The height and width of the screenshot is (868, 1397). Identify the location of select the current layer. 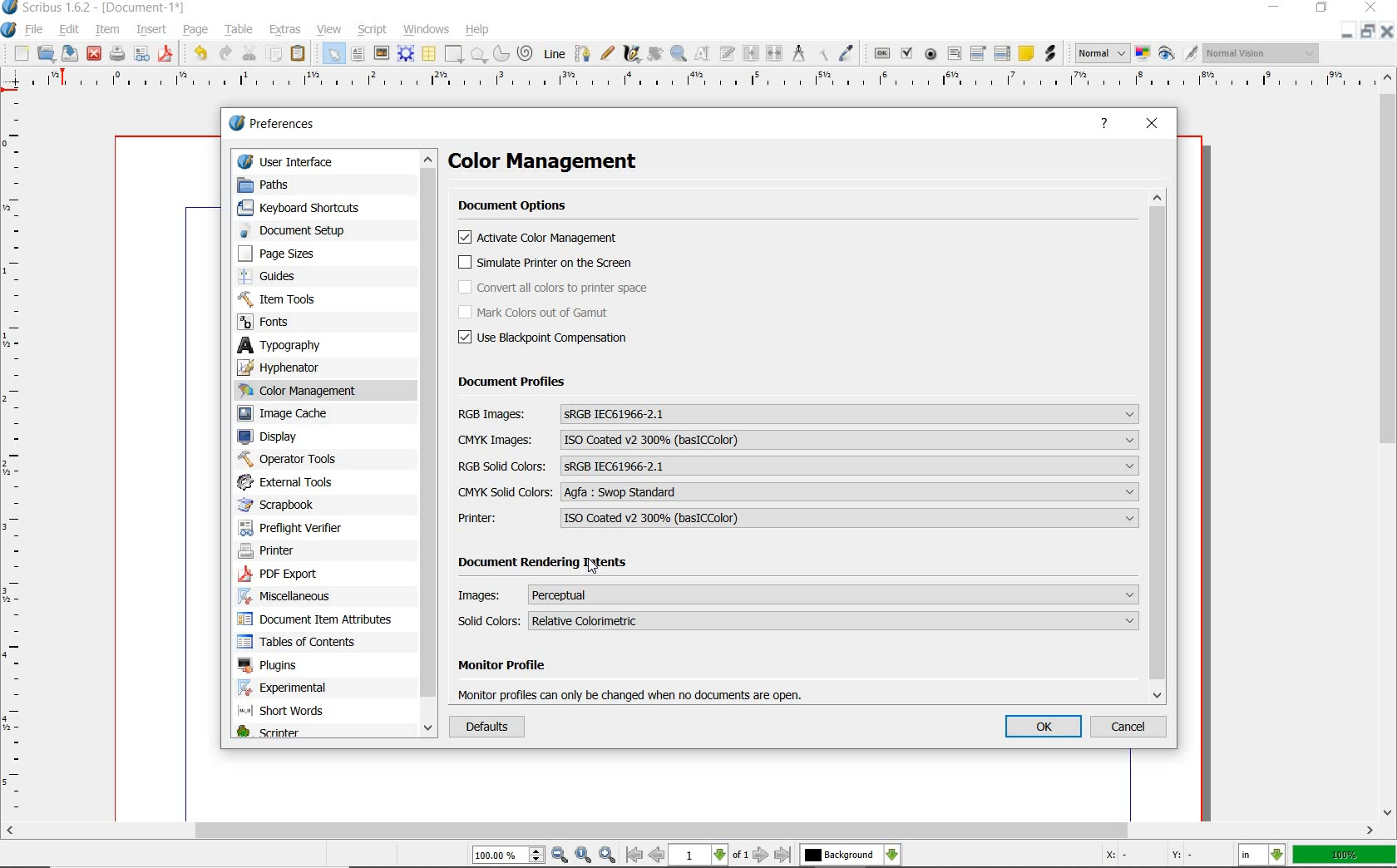
(850, 855).